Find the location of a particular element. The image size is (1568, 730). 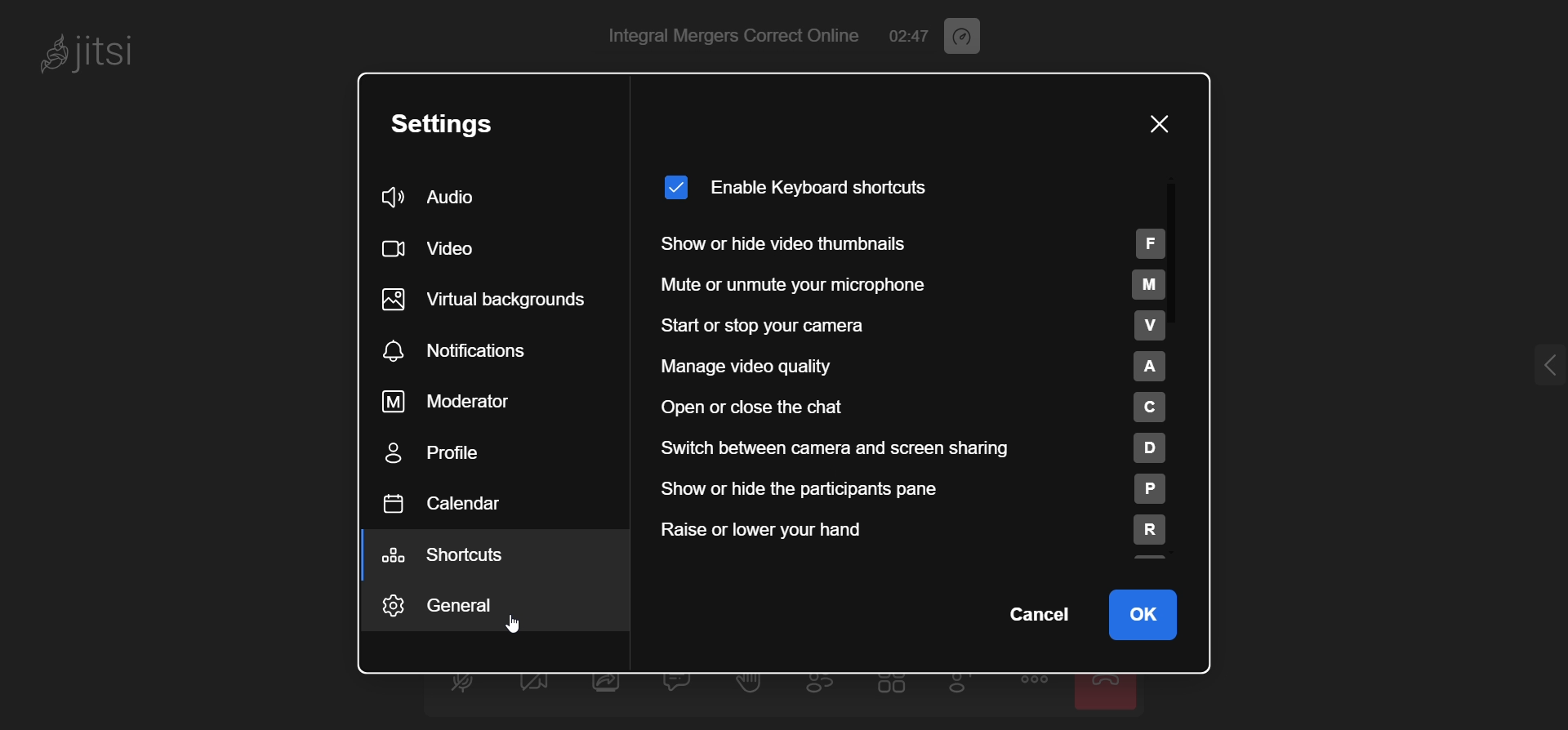

Ok is located at coordinates (1145, 616).